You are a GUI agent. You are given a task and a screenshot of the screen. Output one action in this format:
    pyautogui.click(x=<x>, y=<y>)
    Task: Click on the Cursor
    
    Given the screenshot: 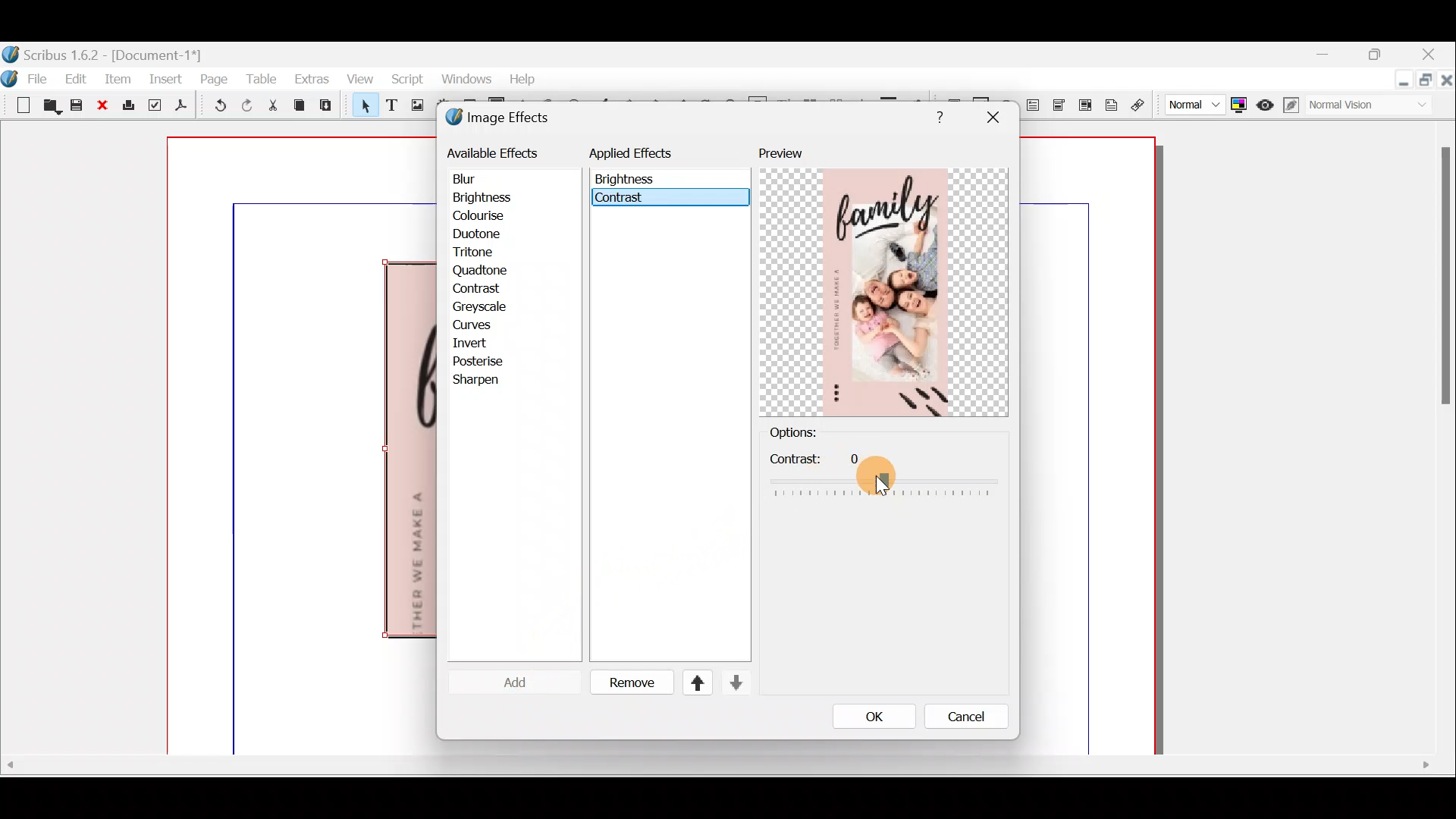 What is the action you would take?
    pyautogui.click(x=504, y=682)
    